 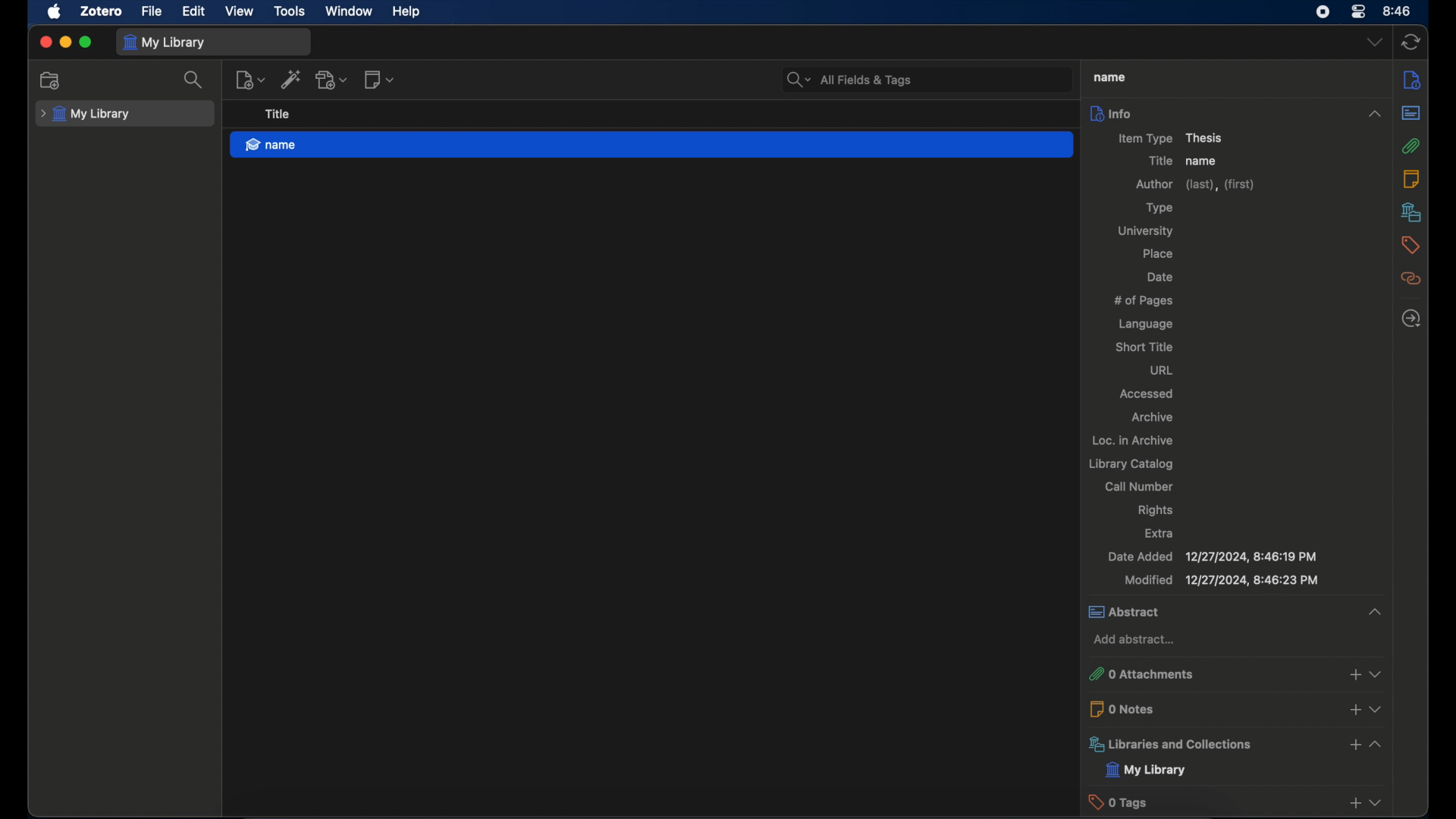 I want to click on screen recorder, so click(x=1323, y=11).